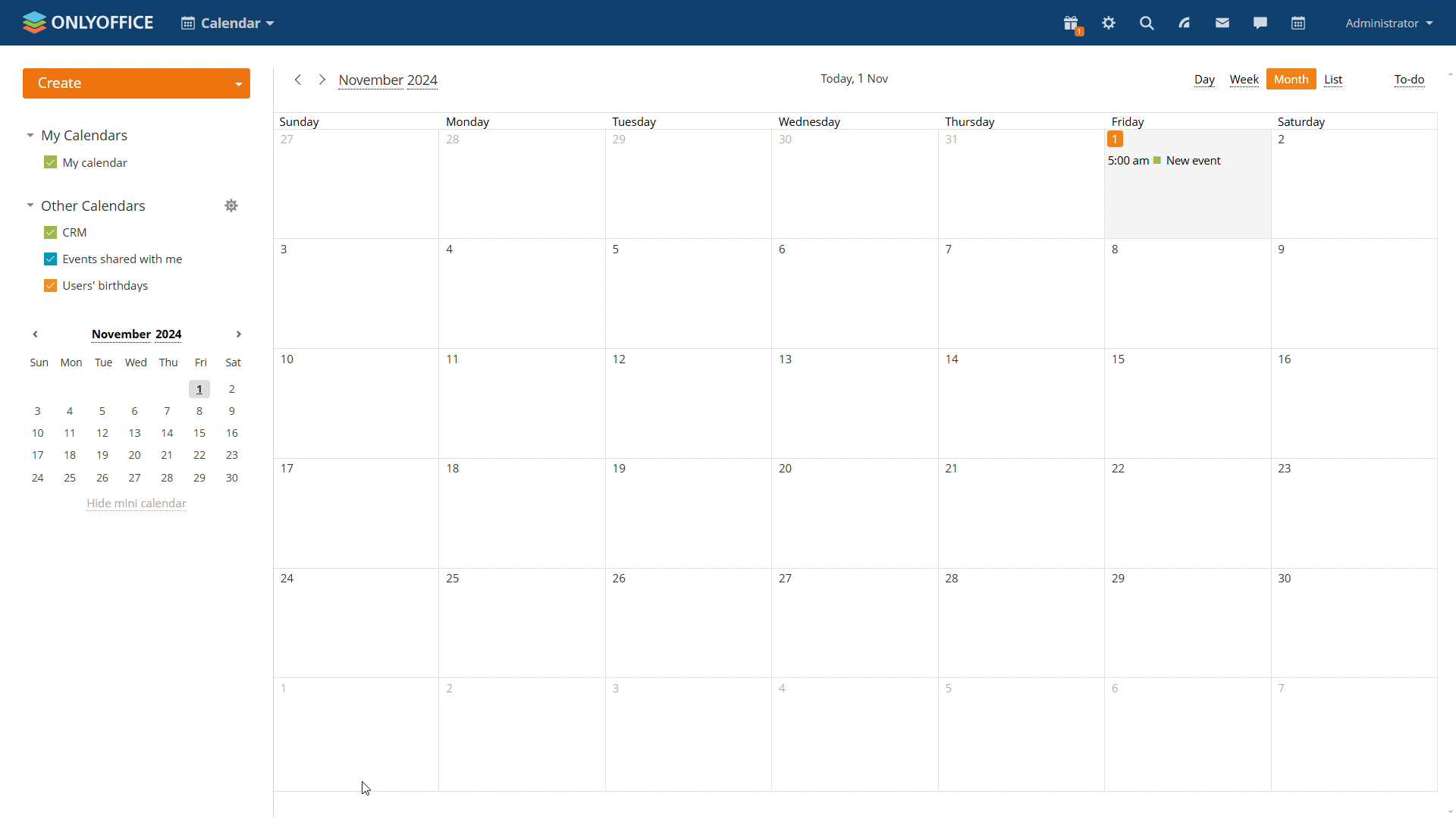 This screenshot has width=1456, height=819. Describe the element at coordinates (36, 334) in the screenshot. I see `Previous month` at that location.